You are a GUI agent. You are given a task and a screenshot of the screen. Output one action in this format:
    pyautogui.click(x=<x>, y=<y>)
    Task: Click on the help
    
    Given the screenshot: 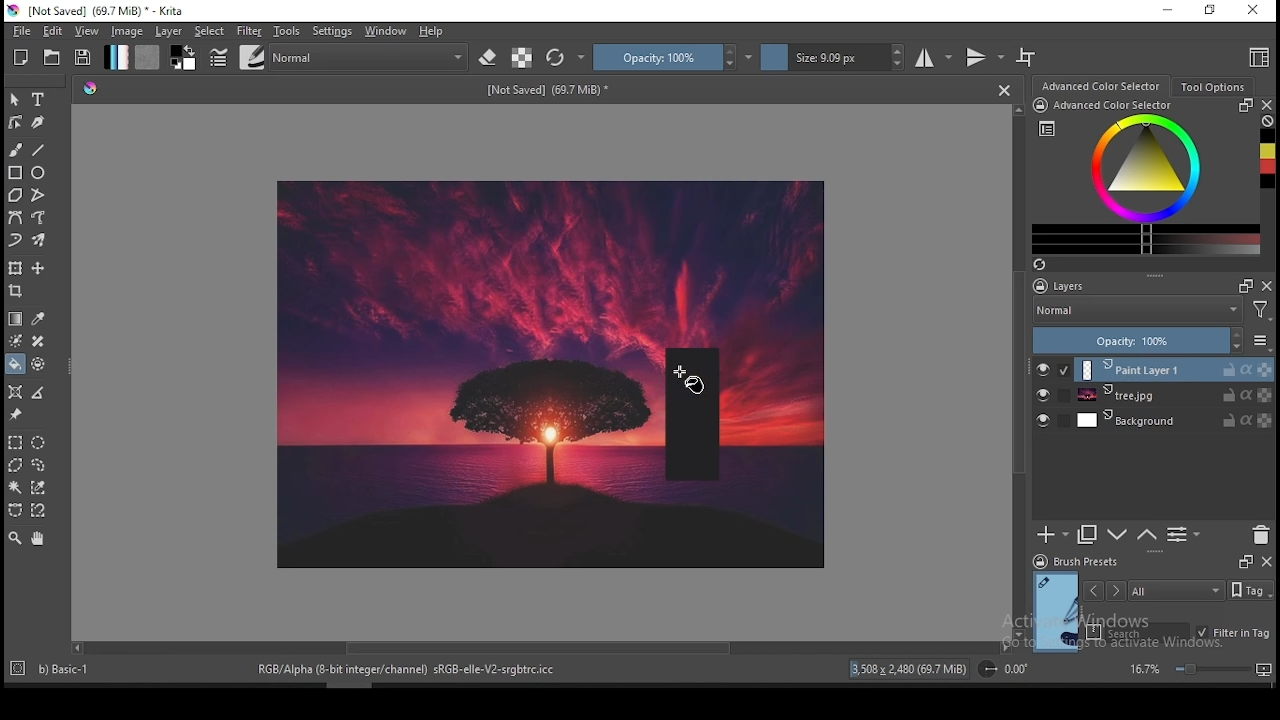 What is the action you would take?
    pyautogui.click(x=432, y=32)
    